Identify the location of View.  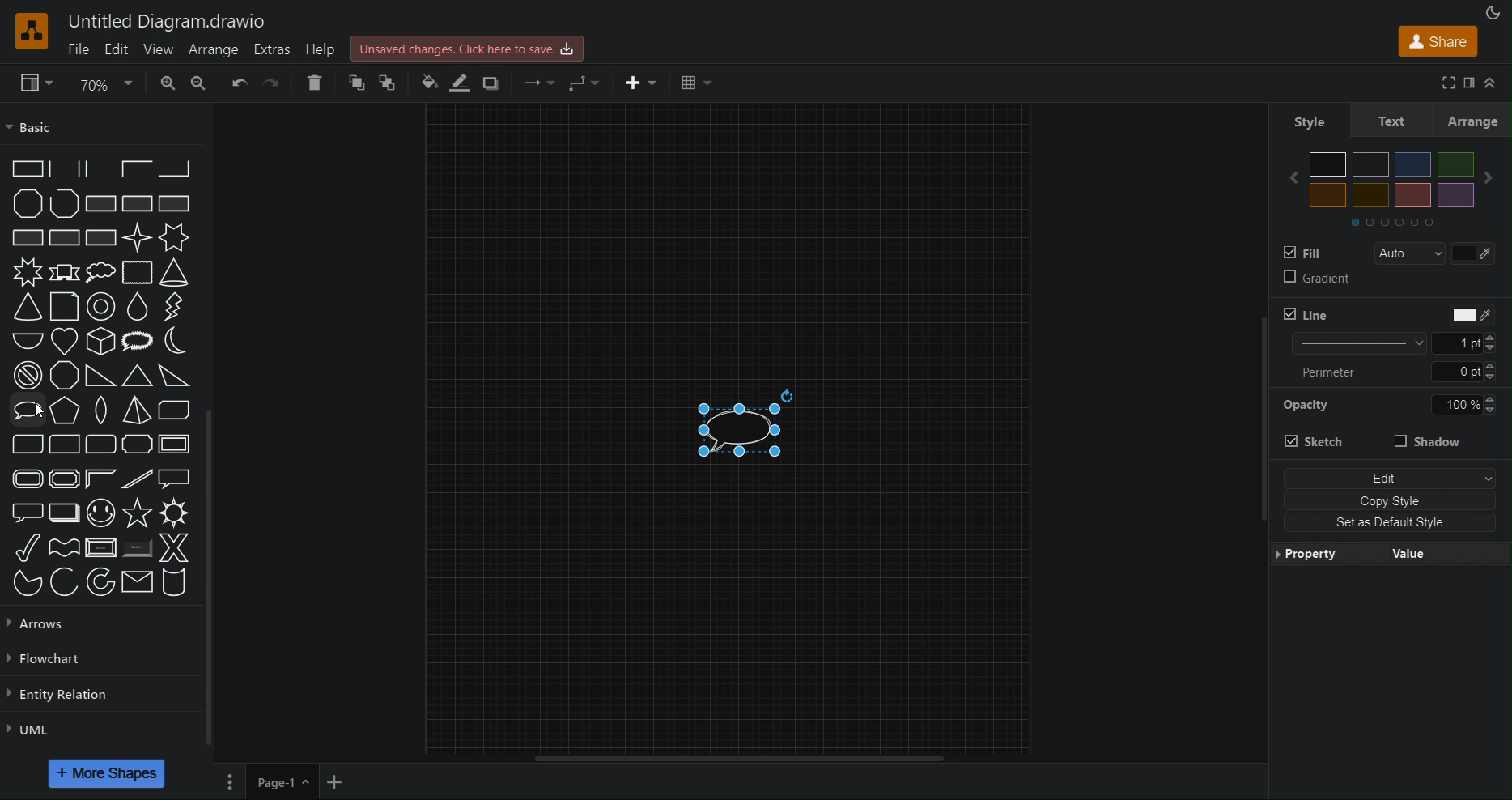
(158, 47).